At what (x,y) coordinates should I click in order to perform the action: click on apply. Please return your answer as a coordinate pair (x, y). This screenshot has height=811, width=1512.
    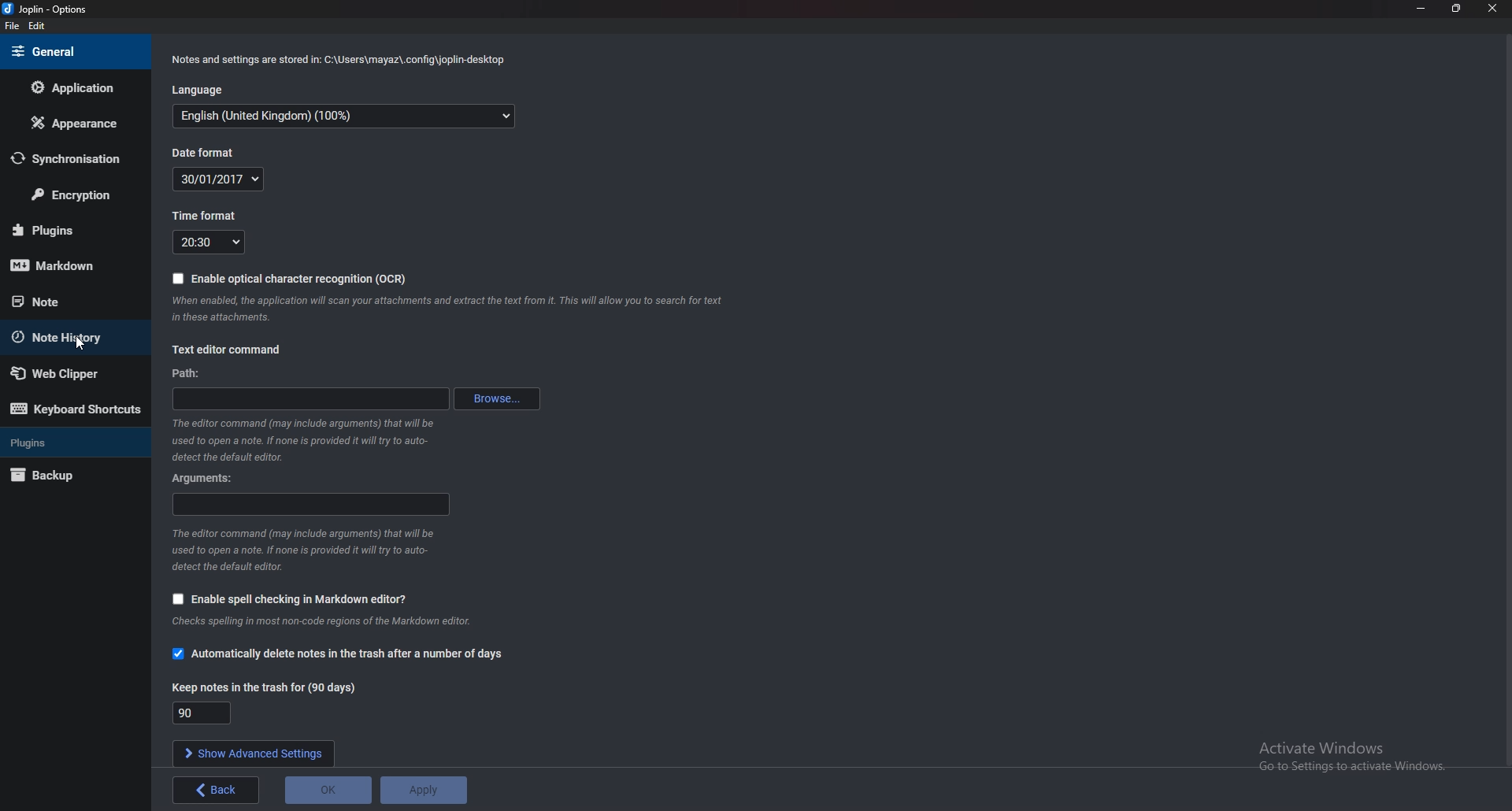
    Looking at the image, I should click on (424, 790).